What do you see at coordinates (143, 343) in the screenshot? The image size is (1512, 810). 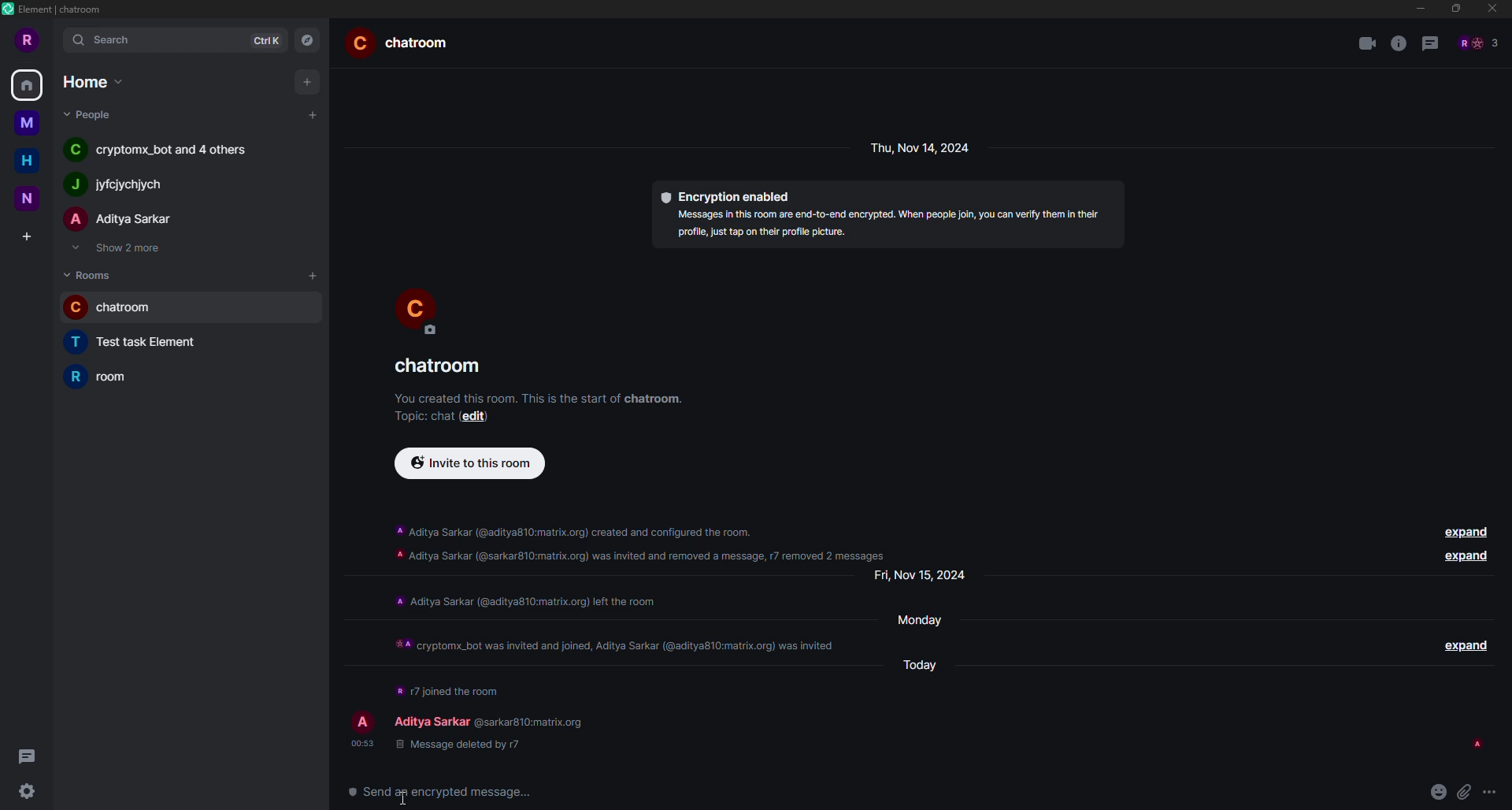 I see `room` at bounding box center [143, 343].